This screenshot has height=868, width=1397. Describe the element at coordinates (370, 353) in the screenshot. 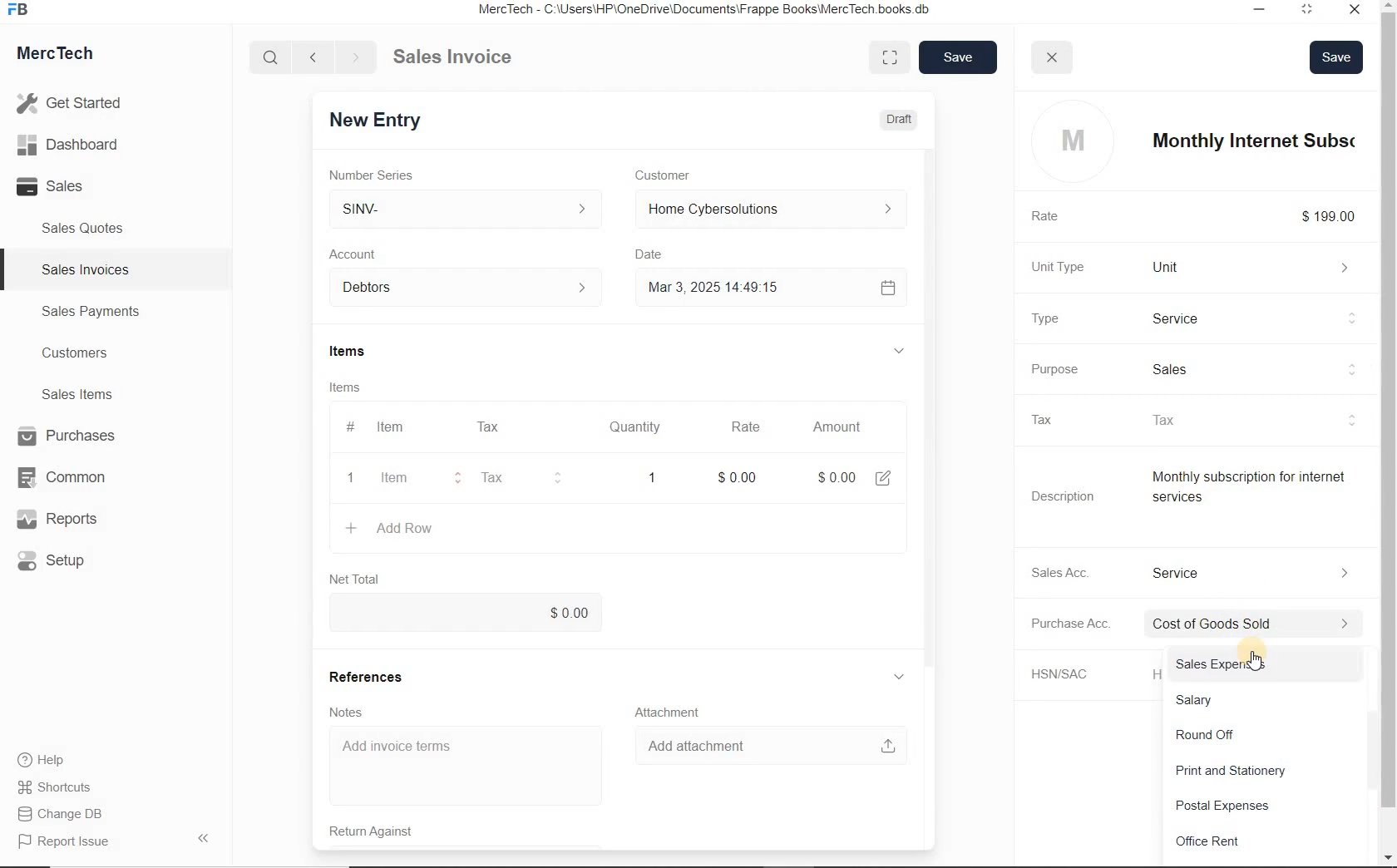

I see `Items` at that location.